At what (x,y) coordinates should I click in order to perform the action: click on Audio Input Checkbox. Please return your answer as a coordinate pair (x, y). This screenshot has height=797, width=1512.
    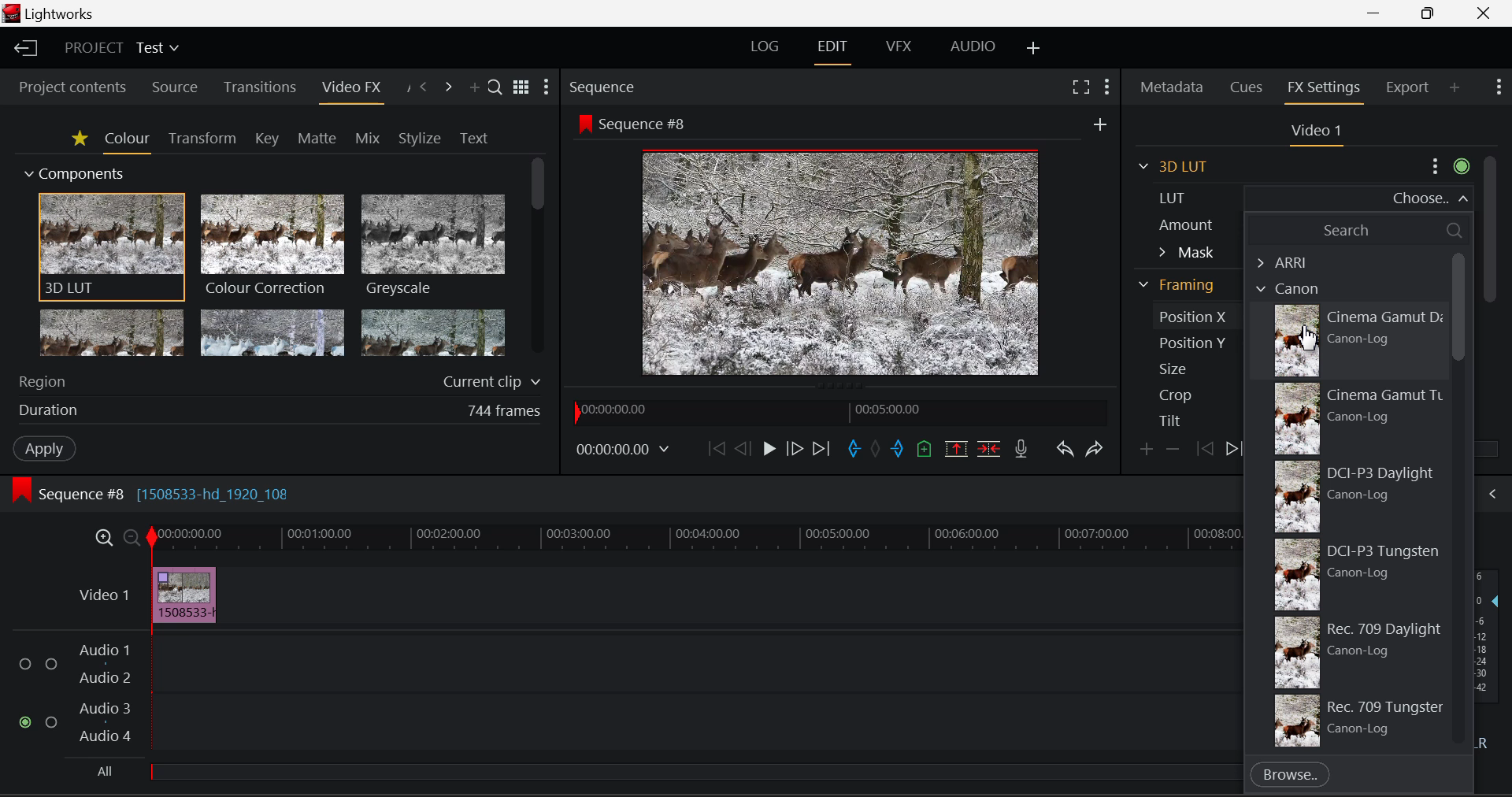
    Looking at the image, I should click on (24, 721).